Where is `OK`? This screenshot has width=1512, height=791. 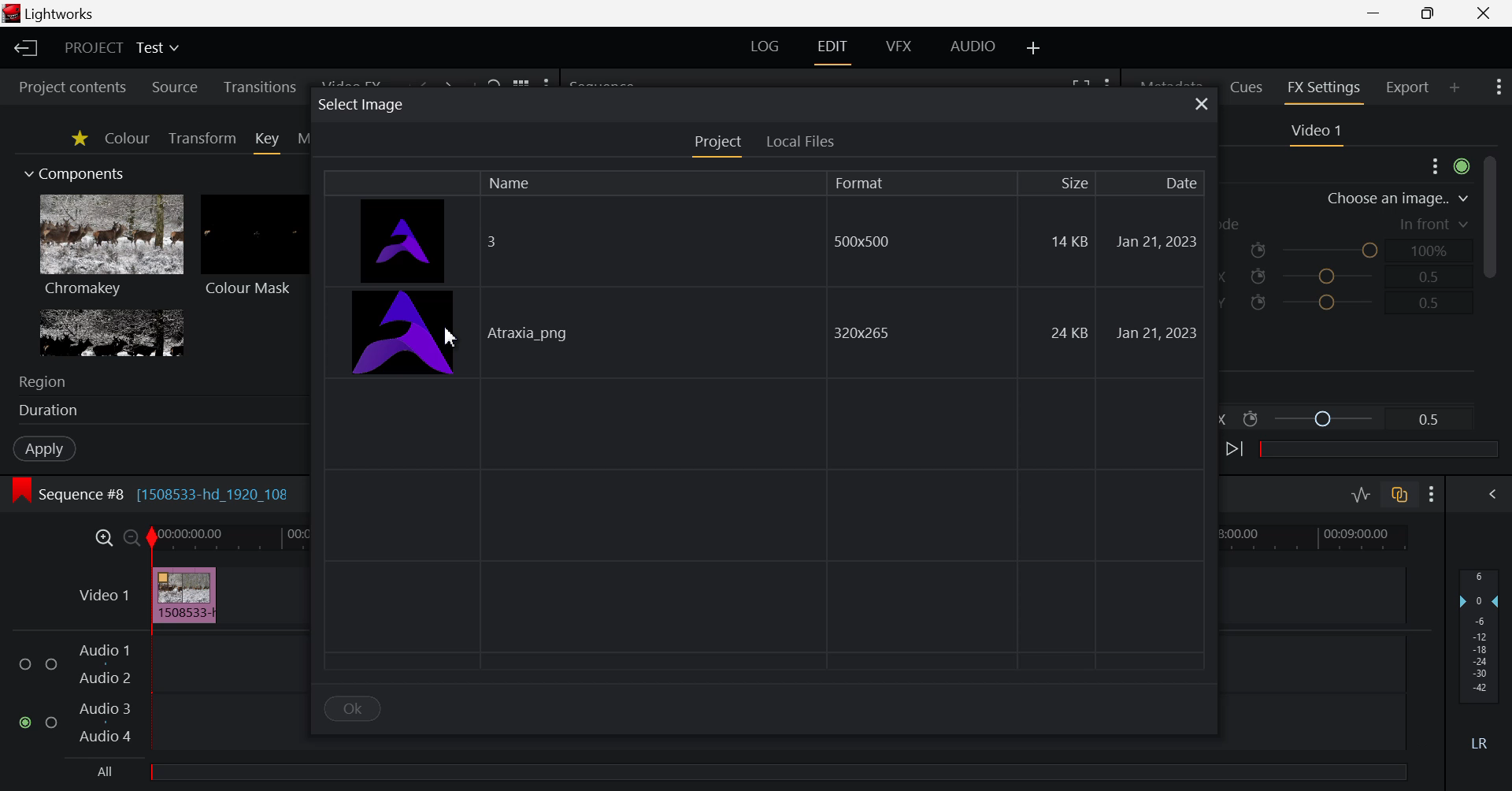
OK is located at coordinates (350, 711).